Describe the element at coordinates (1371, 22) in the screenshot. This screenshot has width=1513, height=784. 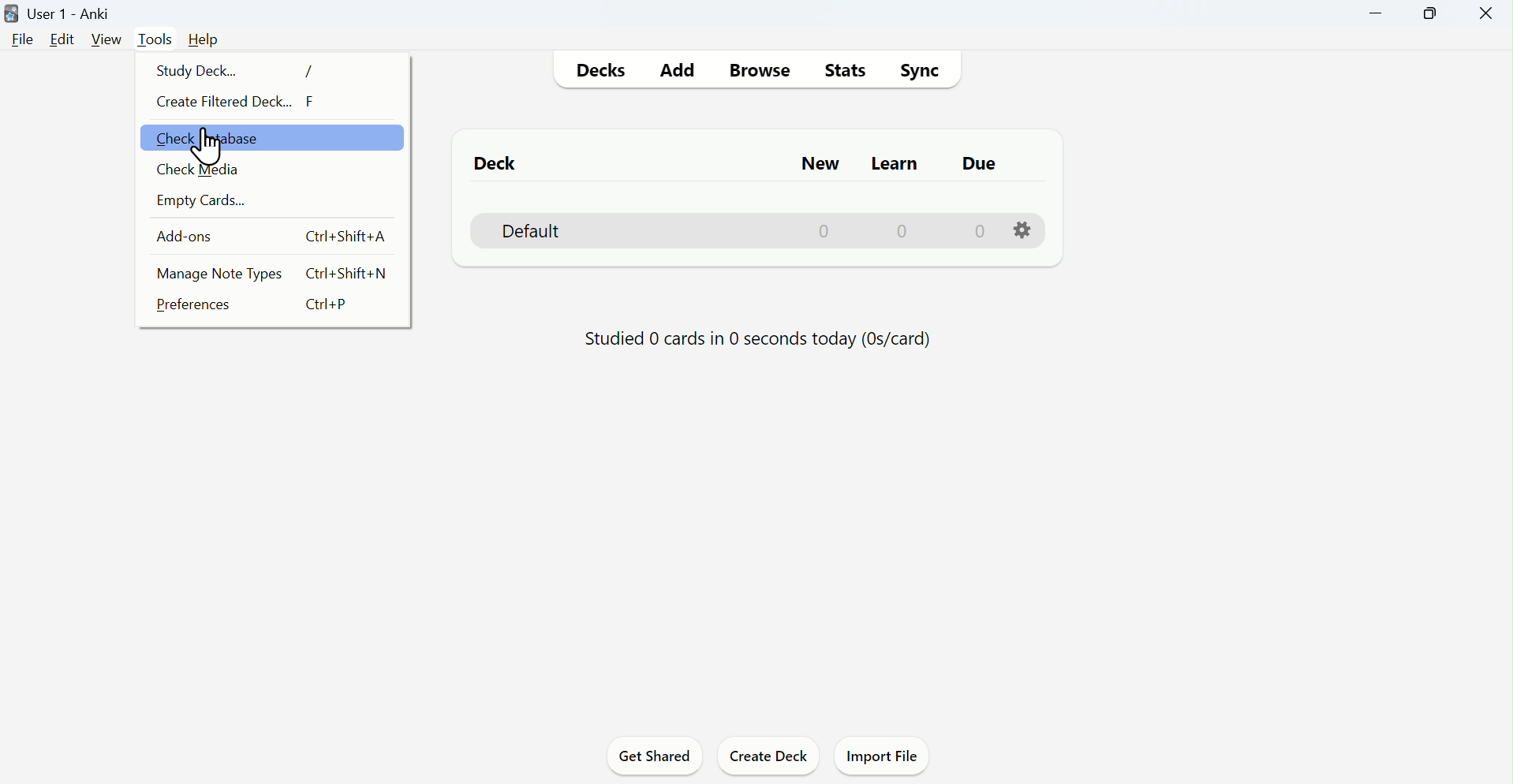
I see `Minimise` at that location.